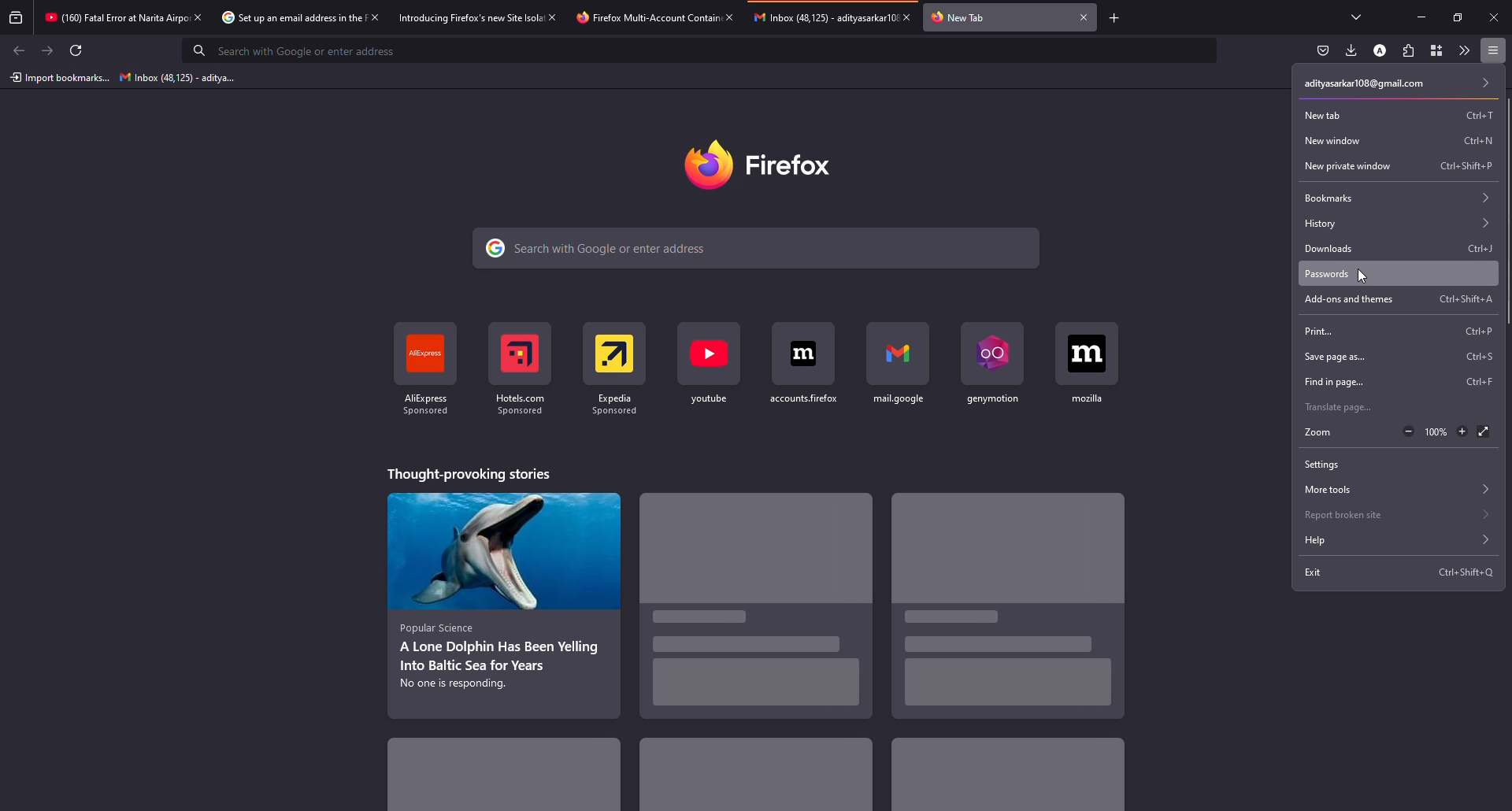 The height and width of the screenshot is (811, 1512). I want to click on account, so click(1382, 50).